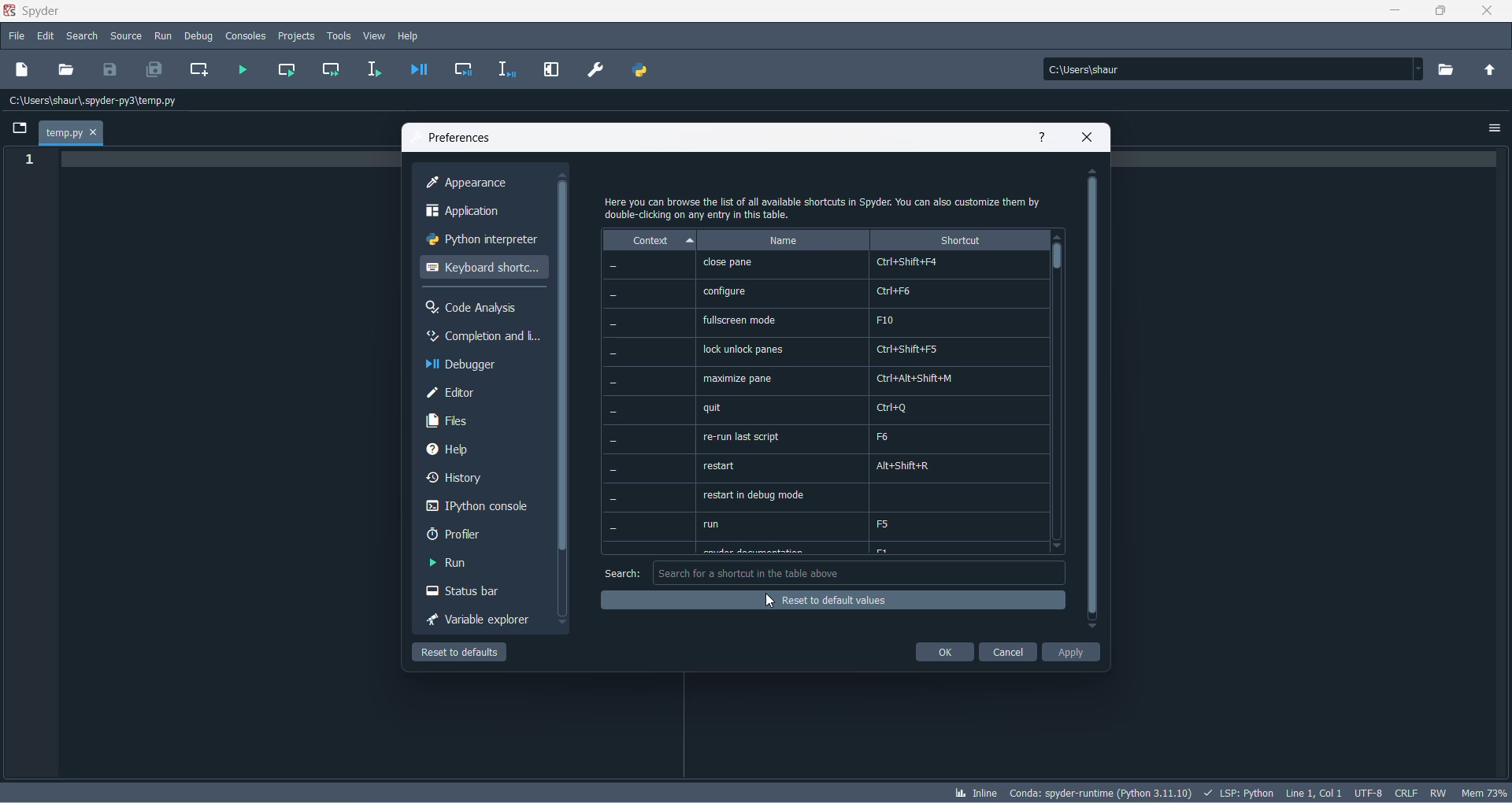 The height and width of the screenshot is (803, 1512). Describe the element at coordinates (1492, 71) in the screenshot. I see `parent folder` at that location.